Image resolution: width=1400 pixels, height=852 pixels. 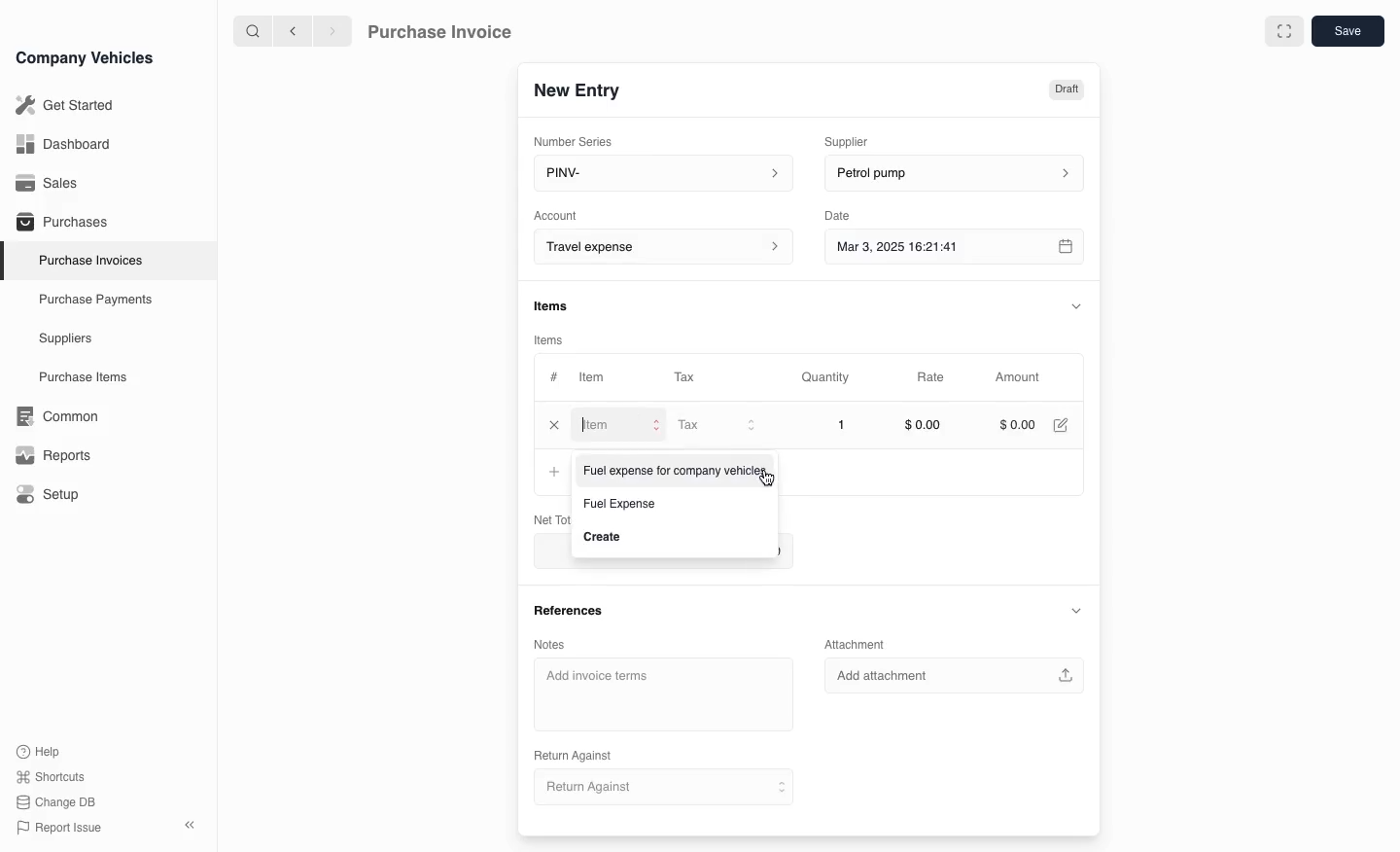 I want to click on item  , so click(x=617, y=428).